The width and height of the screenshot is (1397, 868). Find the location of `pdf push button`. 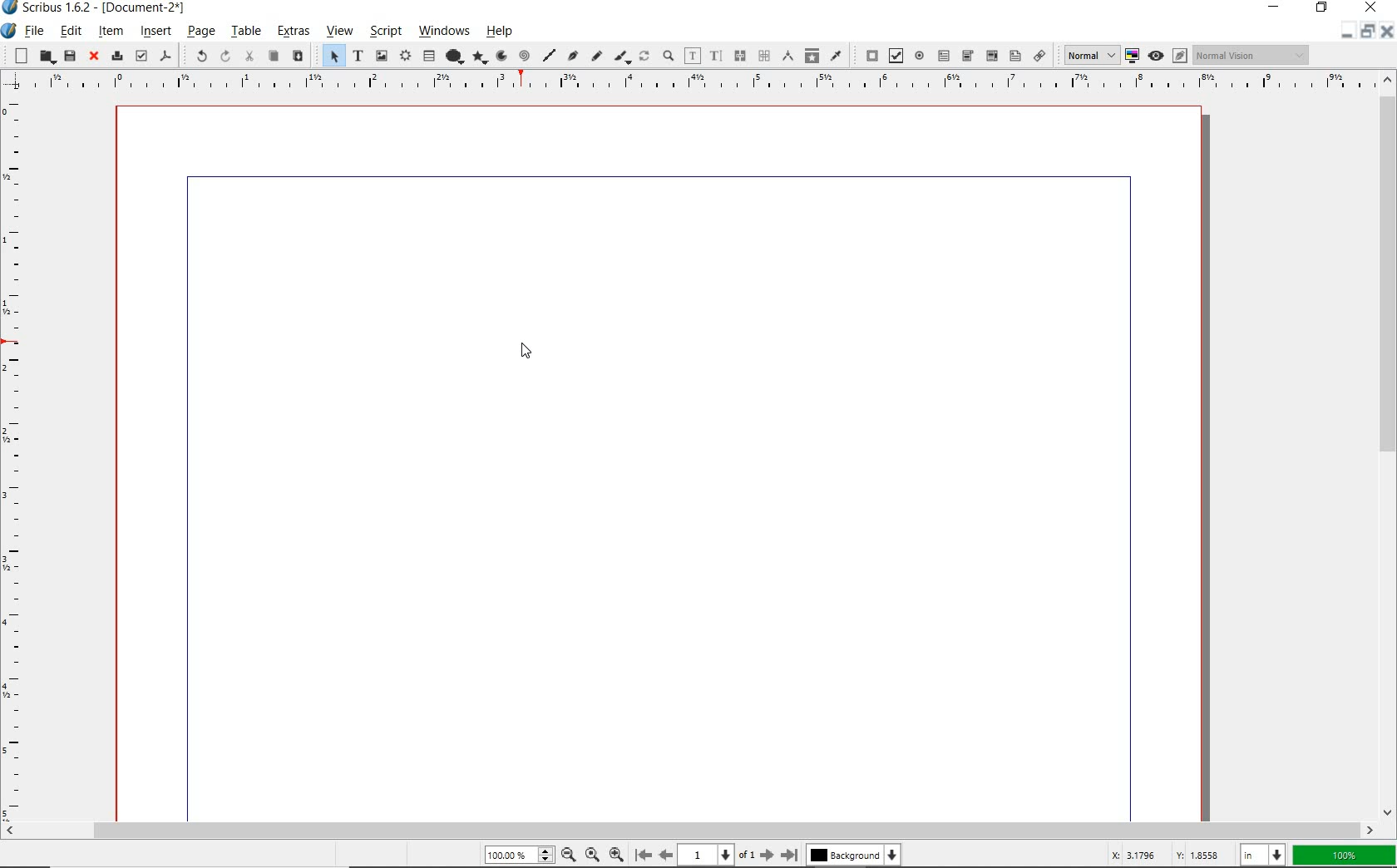

pdf push button is located at coordinates (868, 55).